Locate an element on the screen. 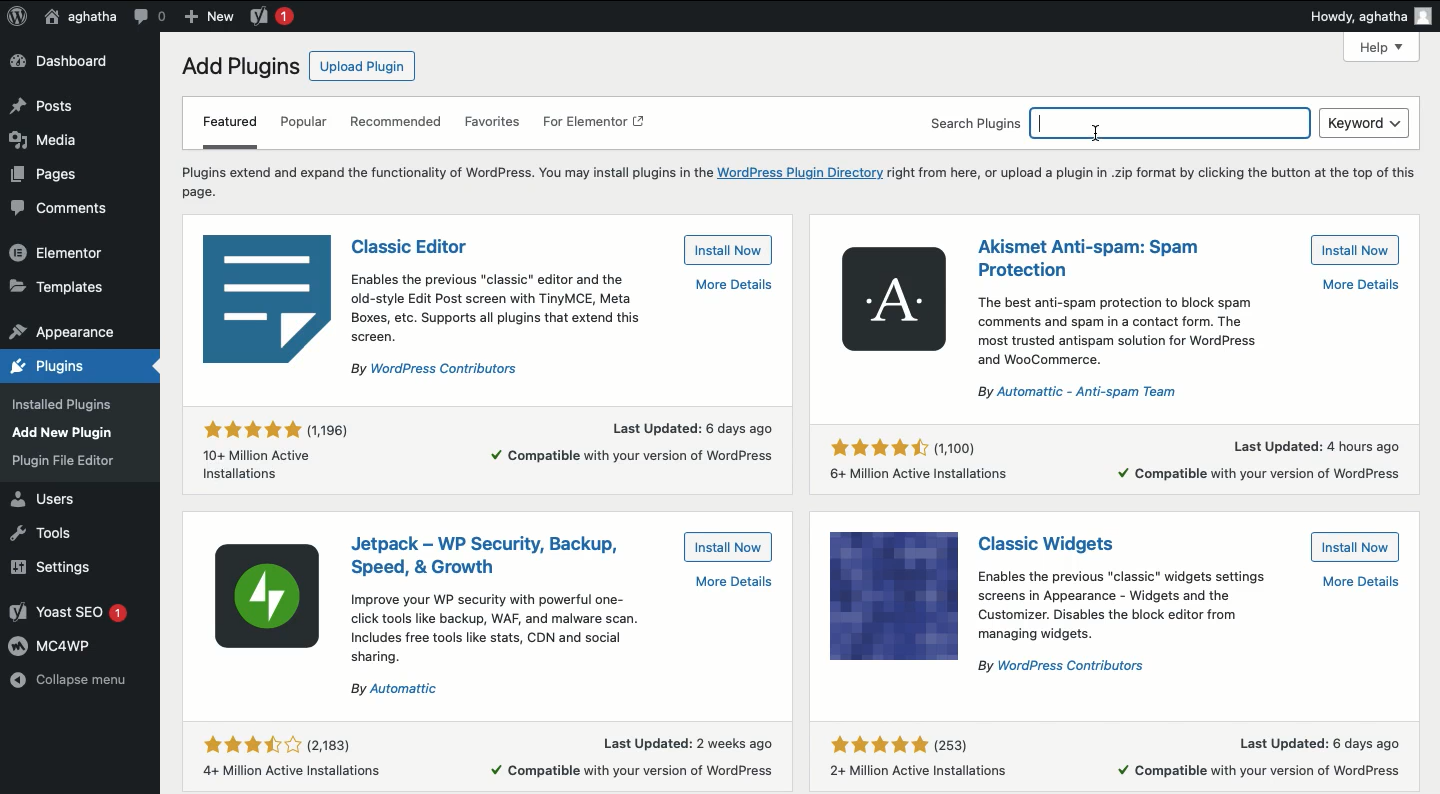 Image resolution: width=1440 pixels, height=794 pixels. Enables the previous "classic" editor and the
old-style Edit Post screen with TinyMCE, Meta
Boxes, etc. Supports all plugins that extend this
screen. is located at coordinates (562, 324).